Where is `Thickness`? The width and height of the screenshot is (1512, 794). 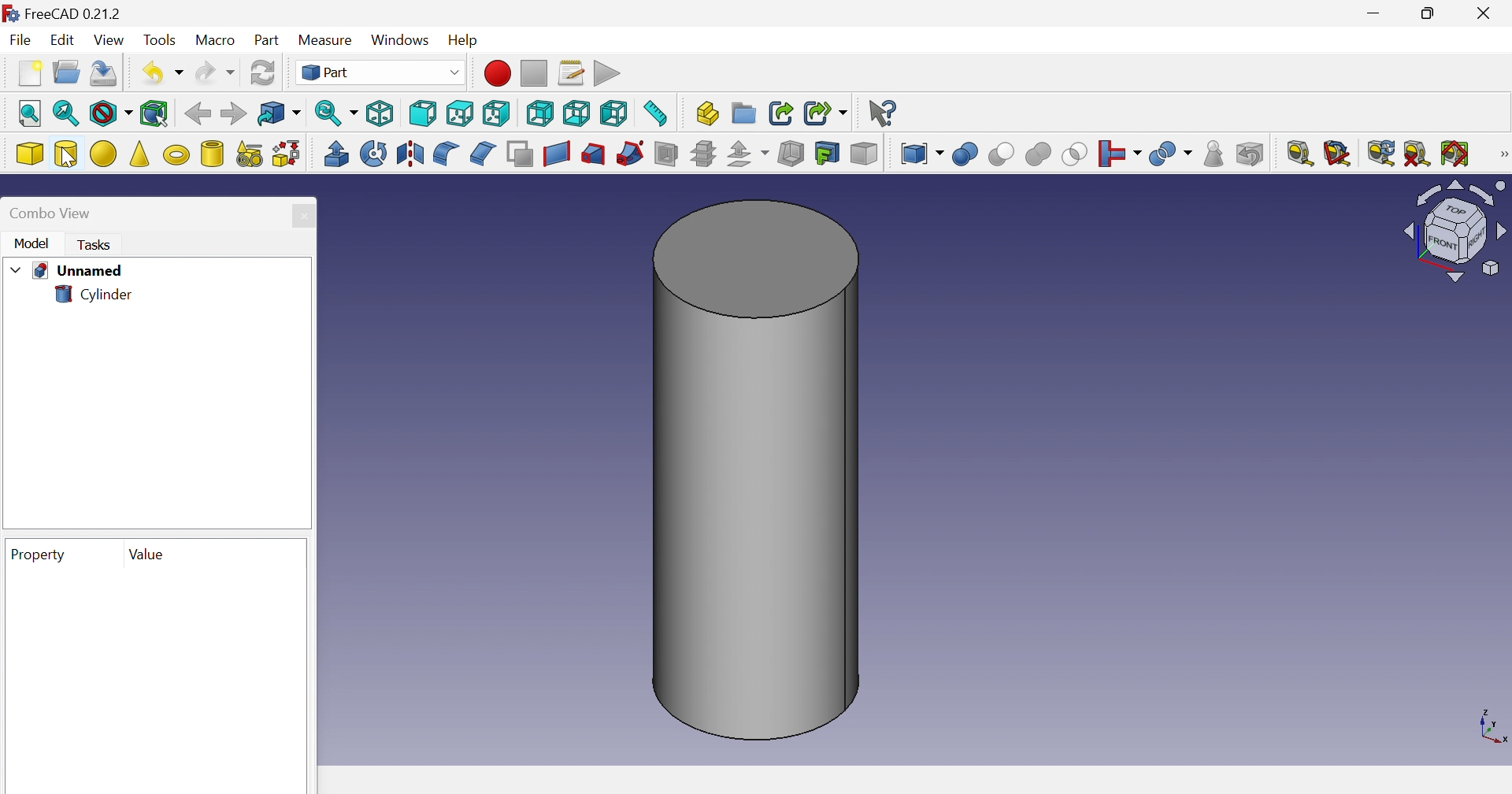
Thickness is located at coordinates (791, 153).